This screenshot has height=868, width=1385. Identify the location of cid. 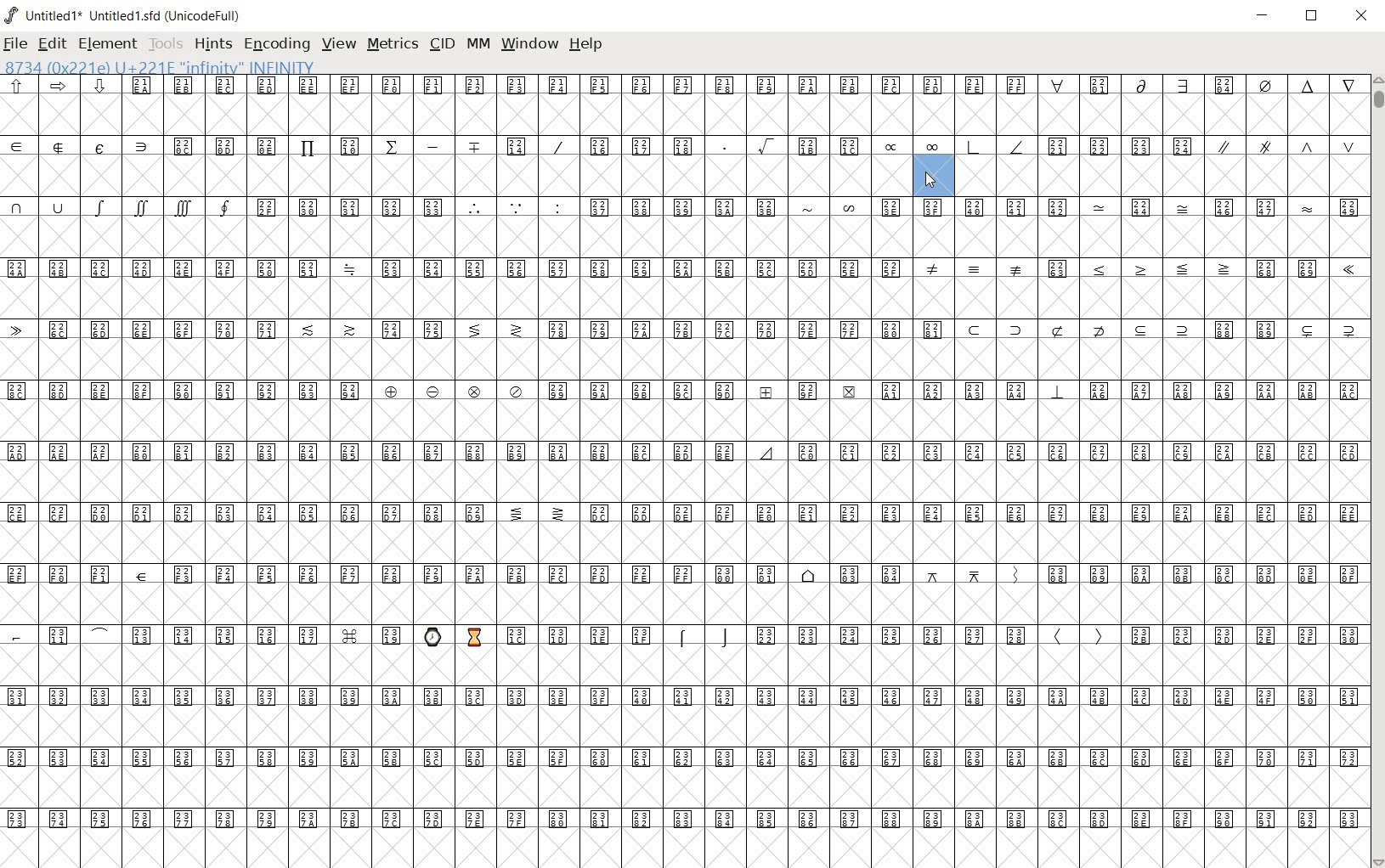
(442, 45).